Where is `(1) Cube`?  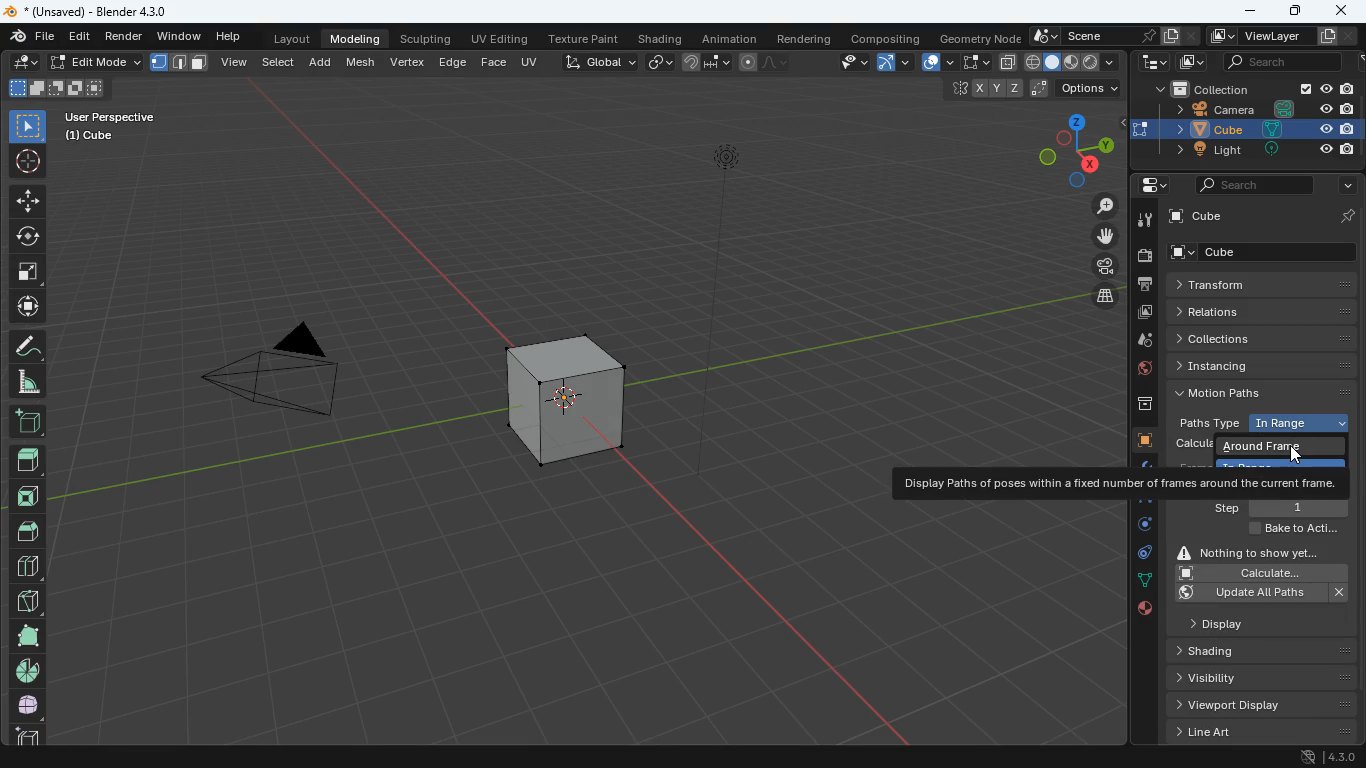
(1) Cube is located at coordinates (85, 136).